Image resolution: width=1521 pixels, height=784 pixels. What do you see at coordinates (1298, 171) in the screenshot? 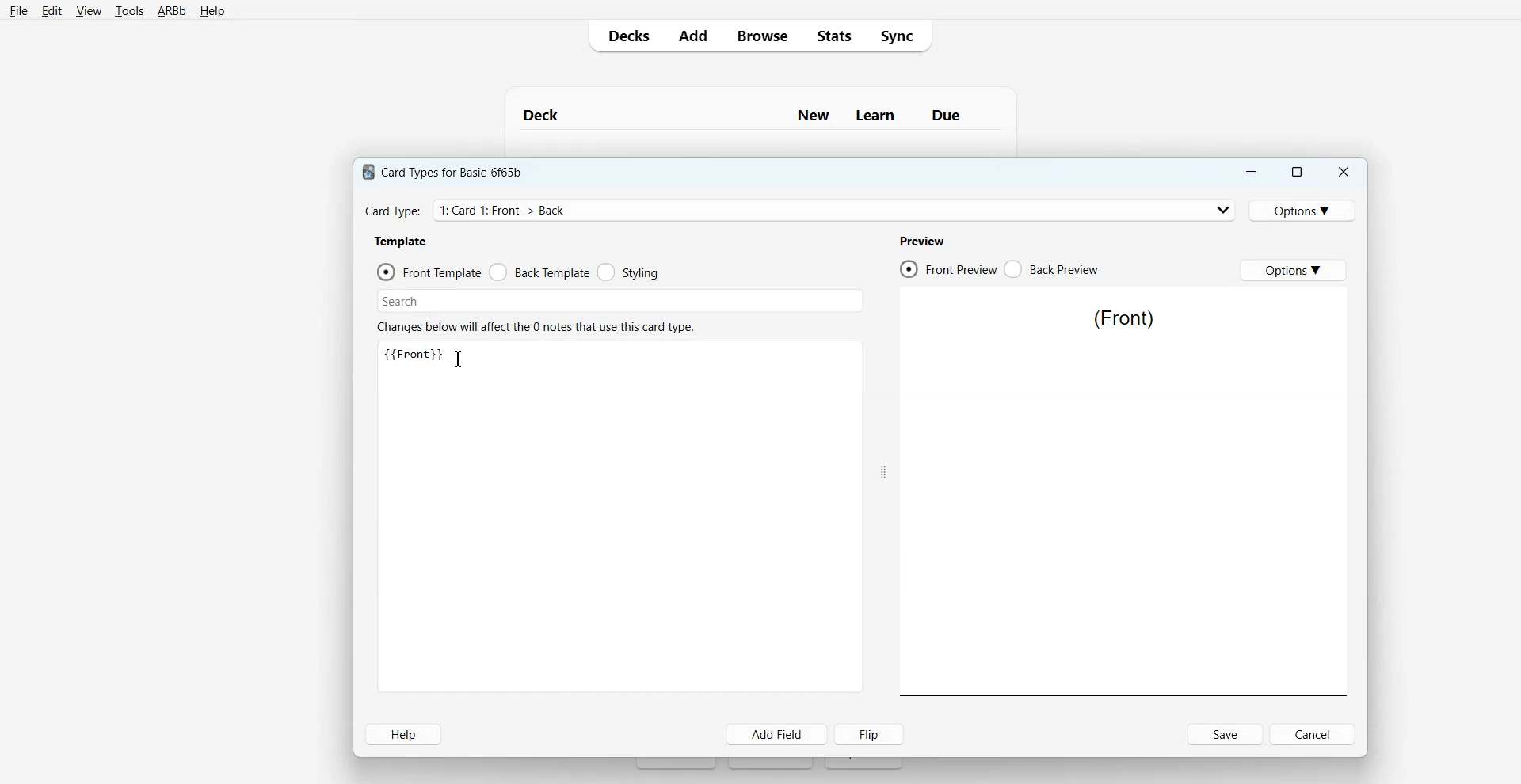
I see `Maximize` at bounding box center [1298, 171].